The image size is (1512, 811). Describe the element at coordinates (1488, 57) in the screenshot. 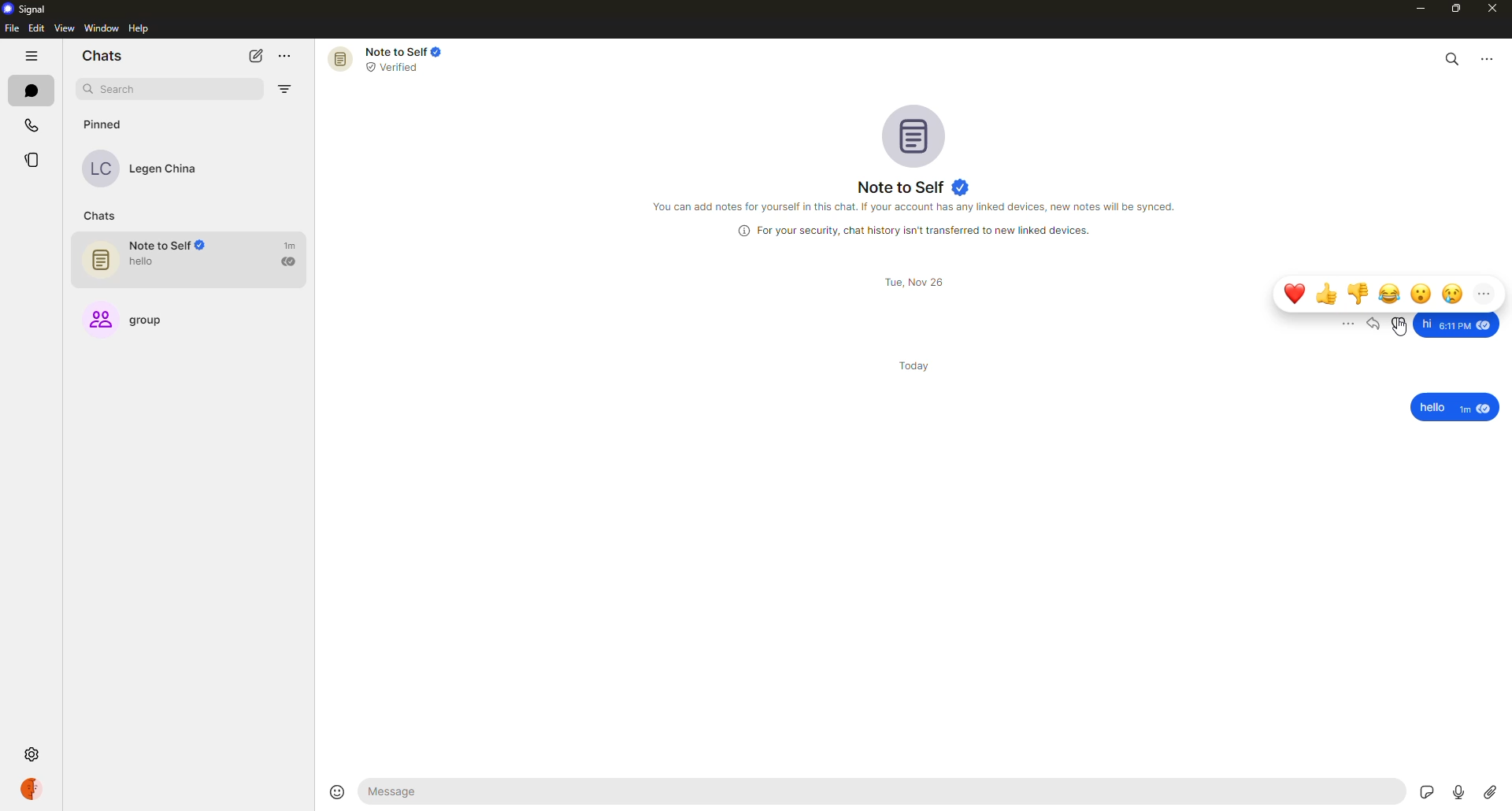

I see `more` at that location.